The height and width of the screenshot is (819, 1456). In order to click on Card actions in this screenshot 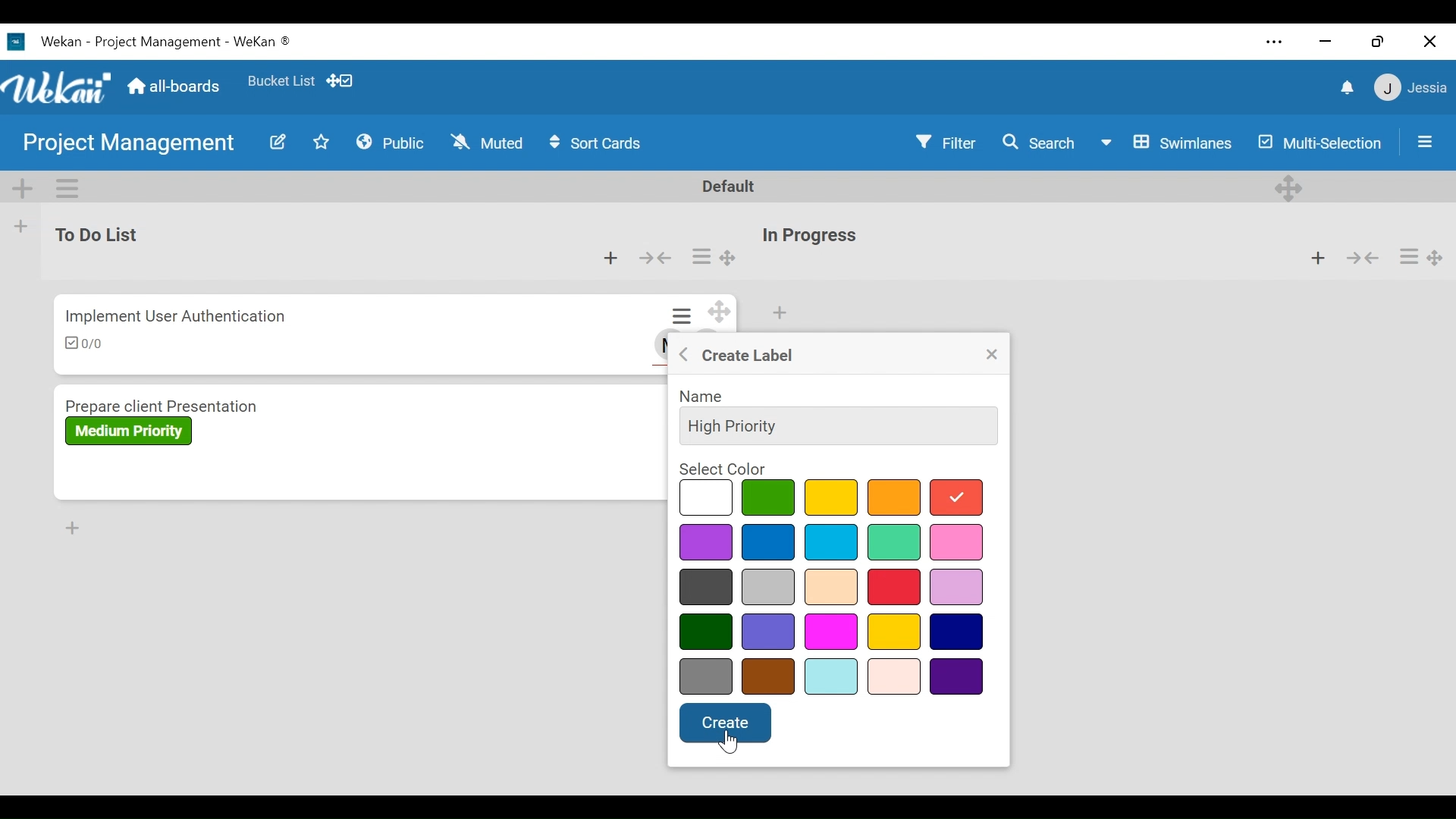, I will do `click(1407, 256)`.